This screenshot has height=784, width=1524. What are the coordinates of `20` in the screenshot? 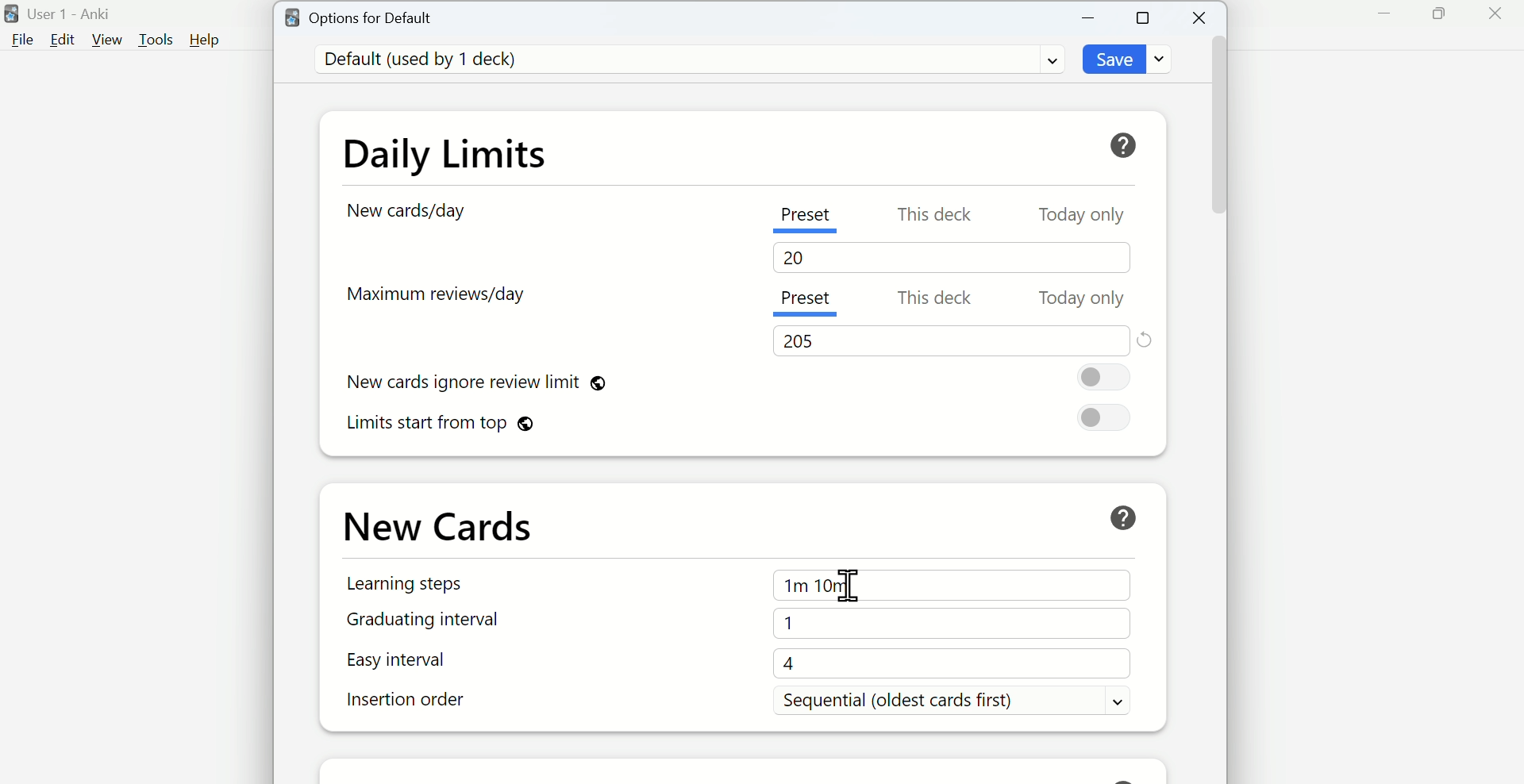 It's located at (799, 260).